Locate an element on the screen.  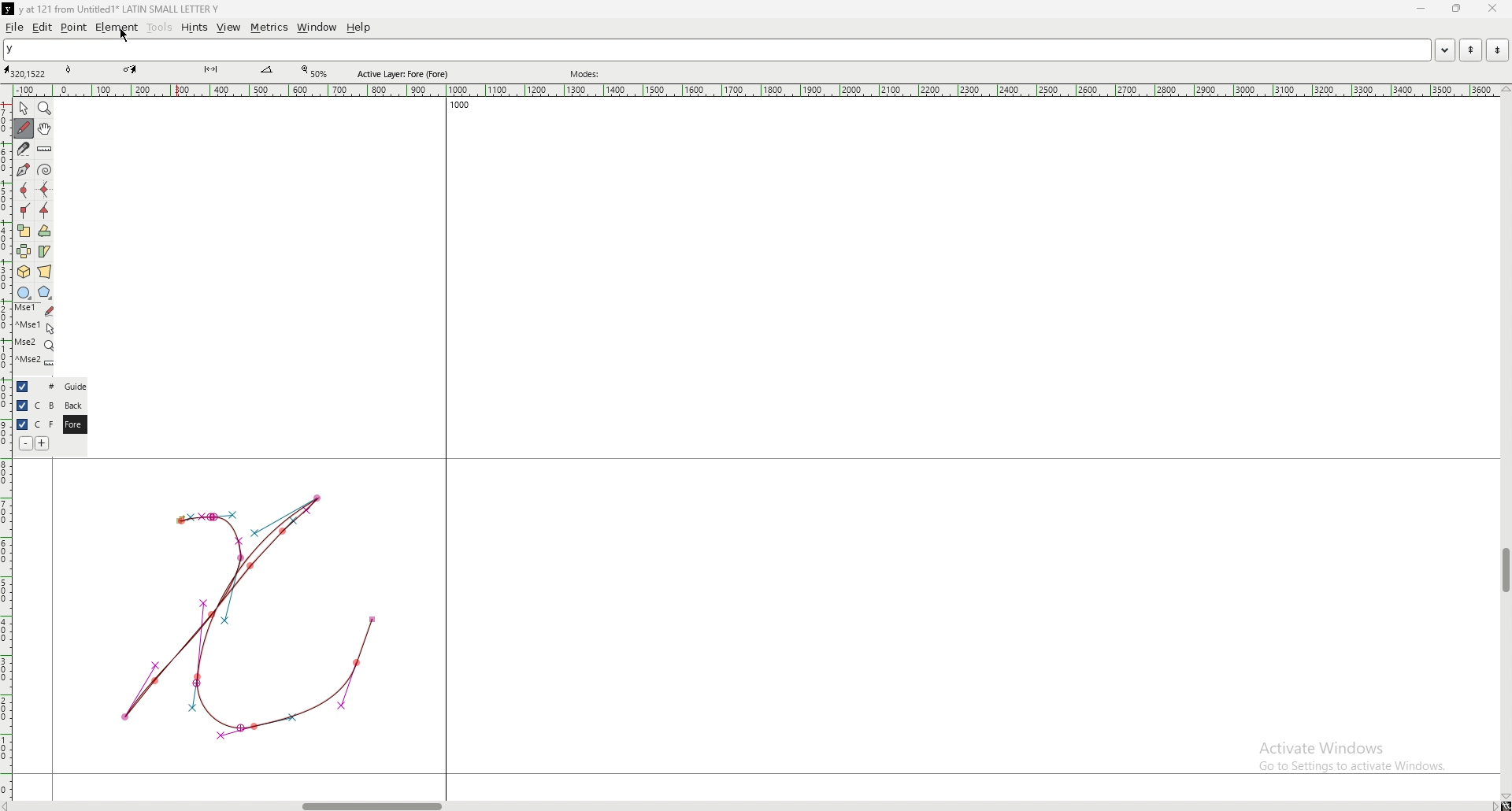
pointer is located at coordinates (24, 109).